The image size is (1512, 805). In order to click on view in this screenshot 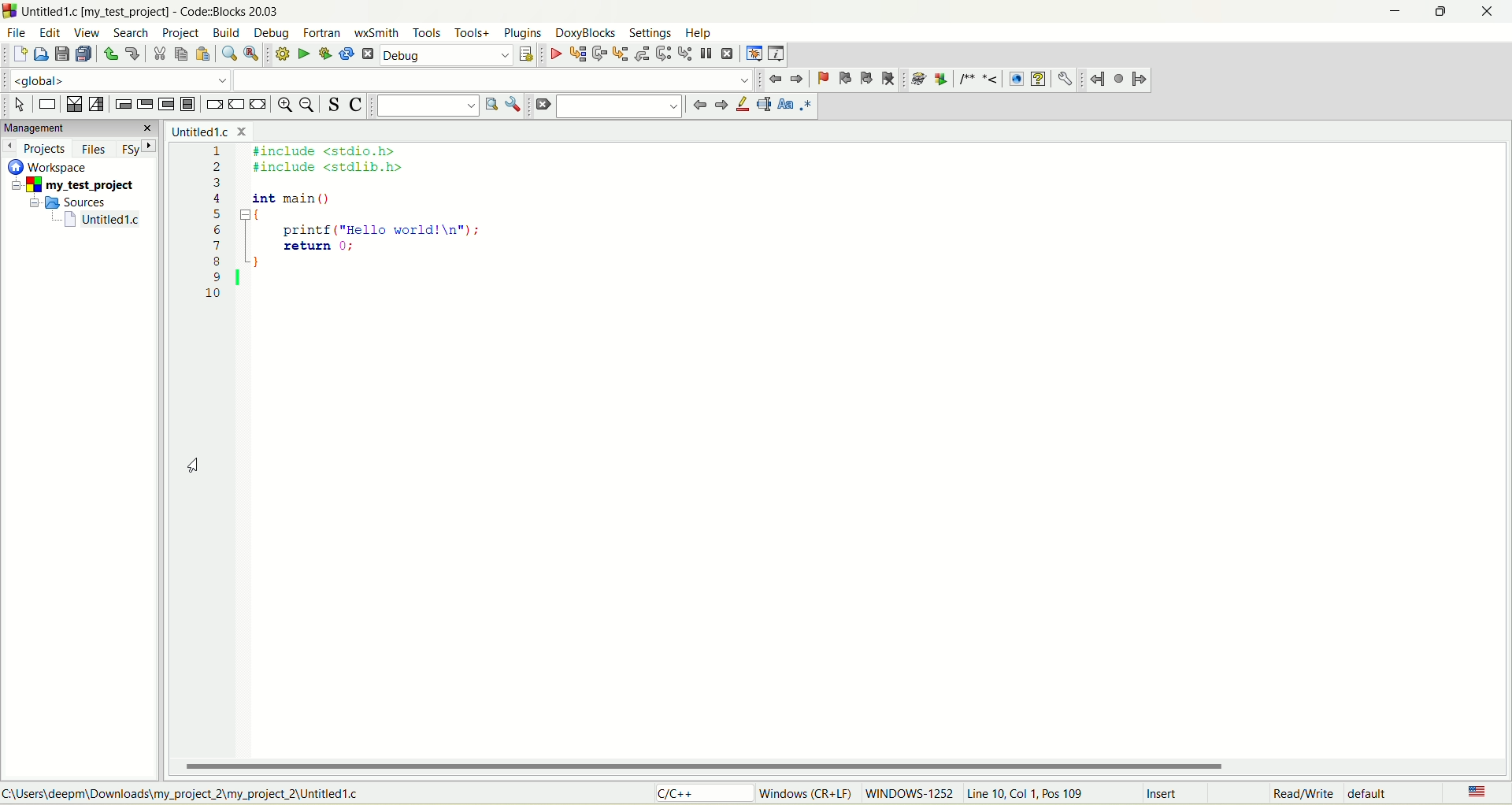, I will do `click(91, 33)`.